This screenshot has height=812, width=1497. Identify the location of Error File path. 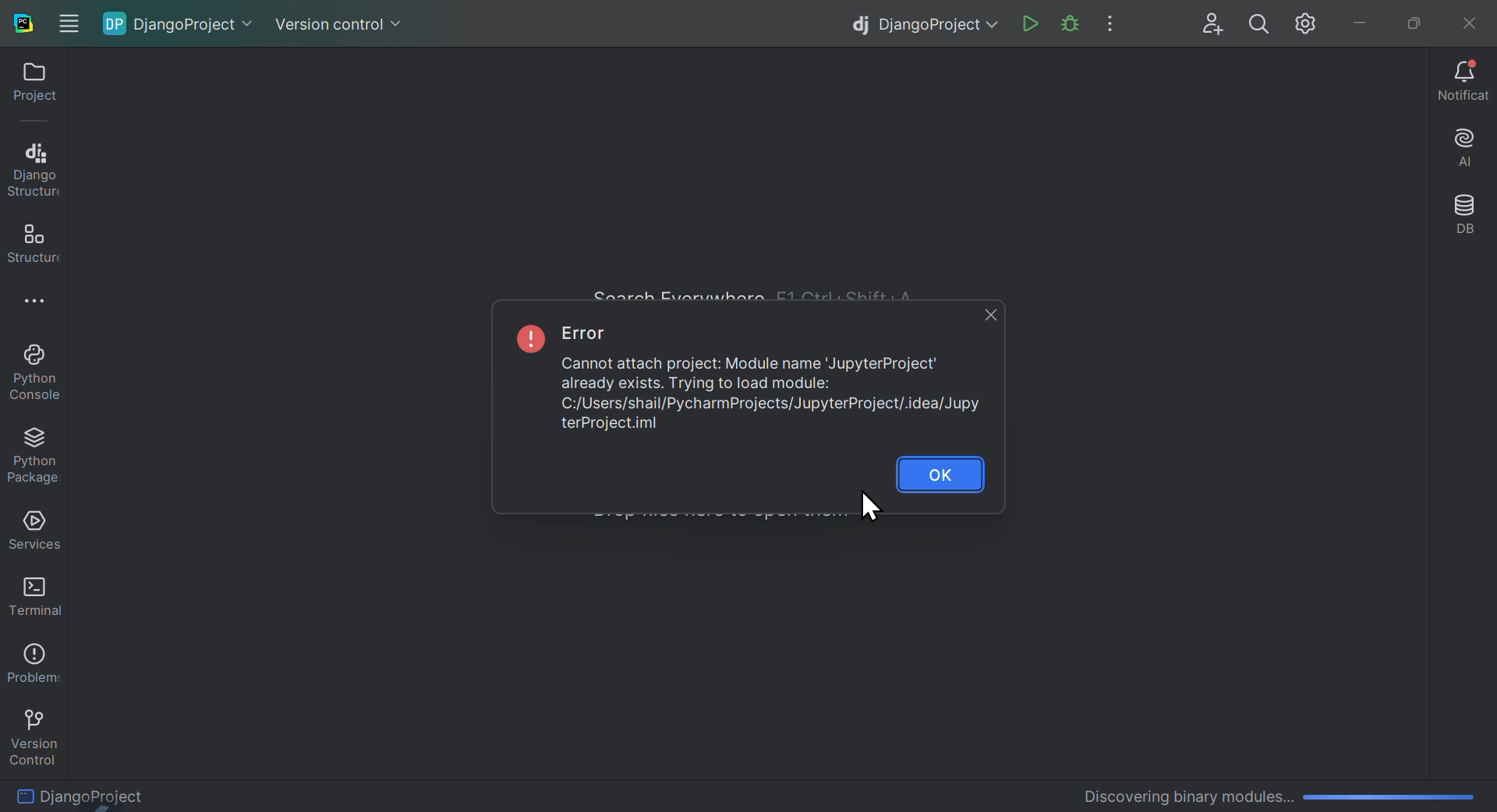
(763, 416).